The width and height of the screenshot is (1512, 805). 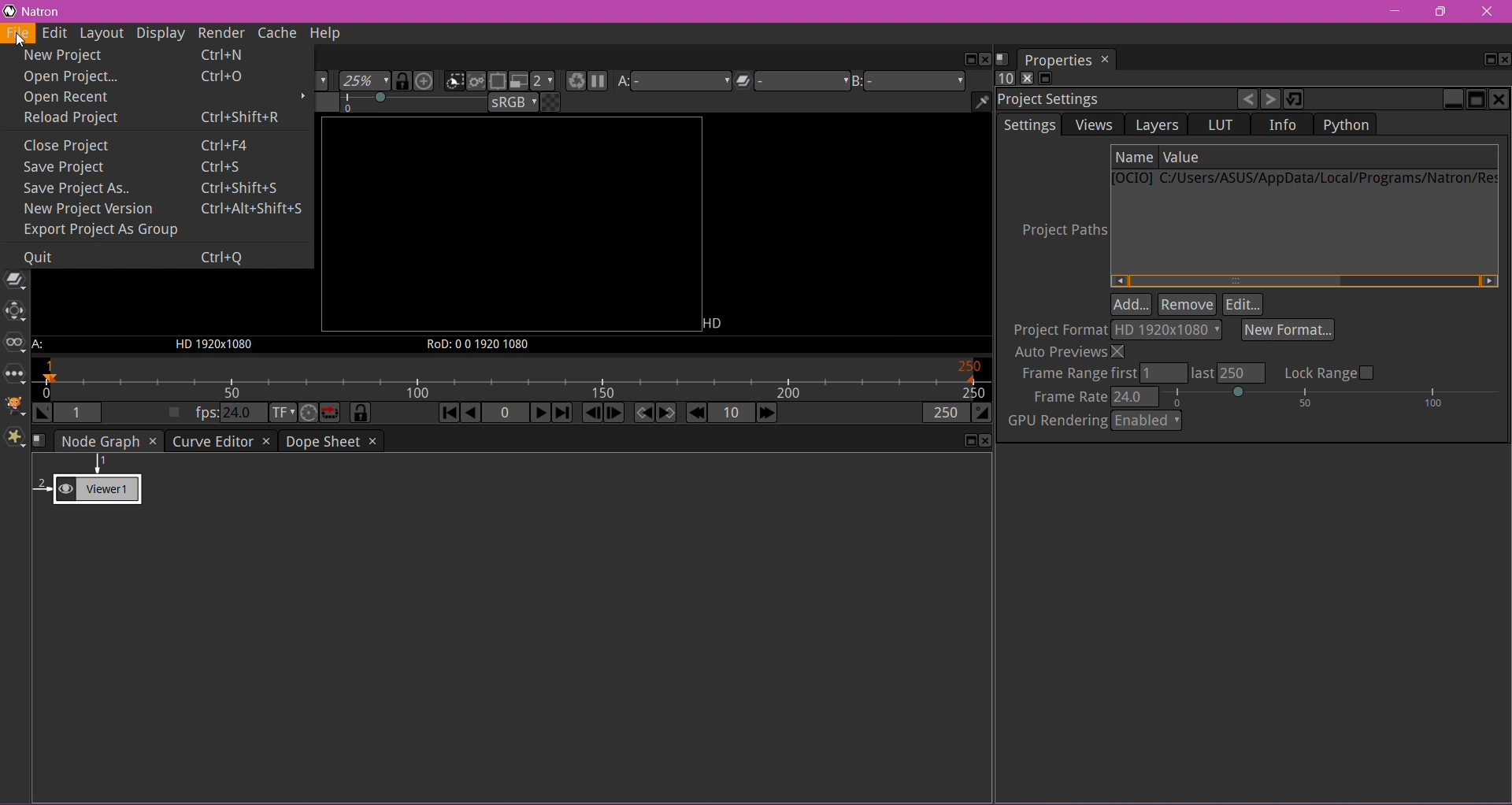 I want to click on Close Project, so click(x=150, y=146).